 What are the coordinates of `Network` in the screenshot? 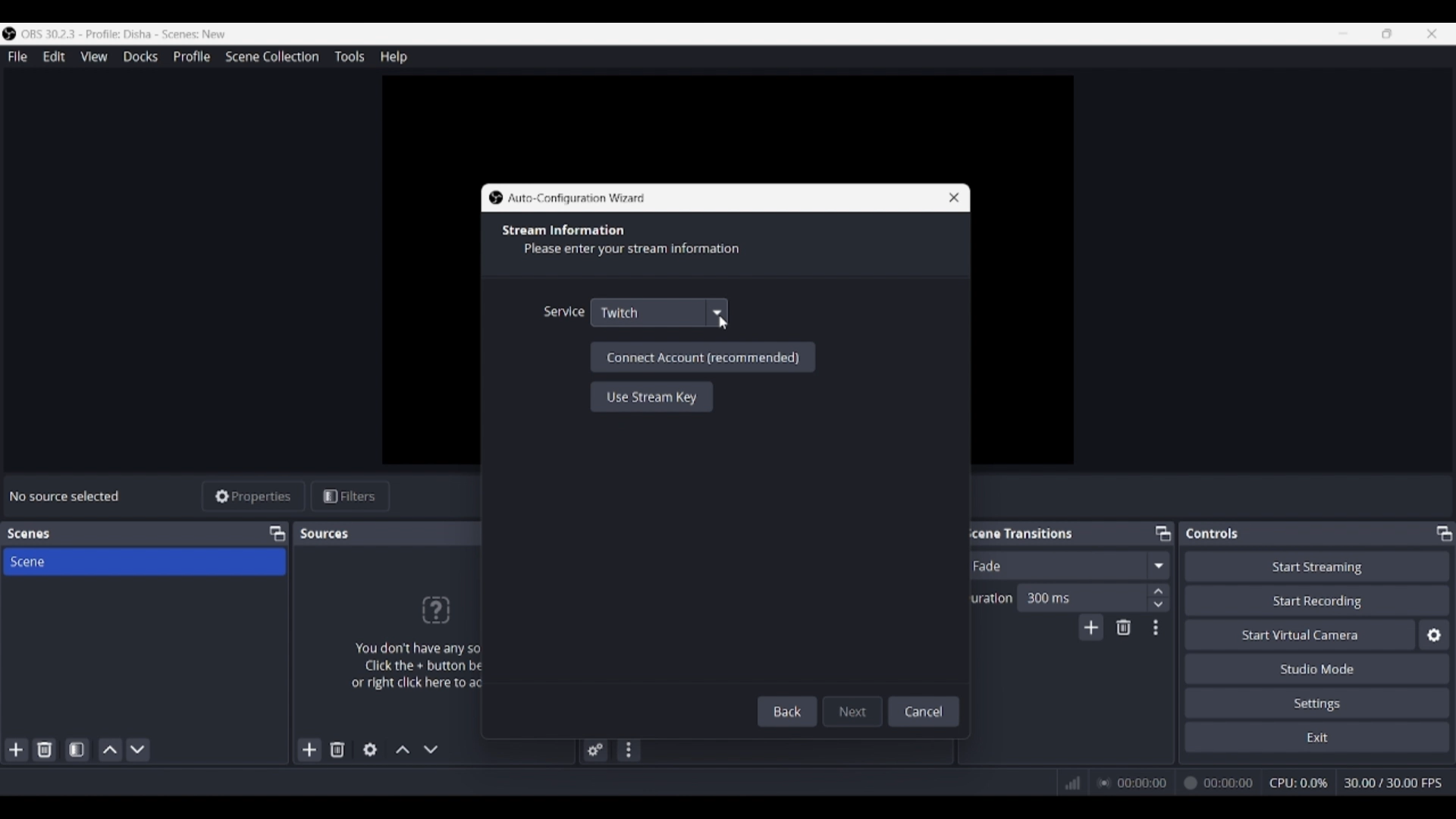 It's located at (1067, 781).